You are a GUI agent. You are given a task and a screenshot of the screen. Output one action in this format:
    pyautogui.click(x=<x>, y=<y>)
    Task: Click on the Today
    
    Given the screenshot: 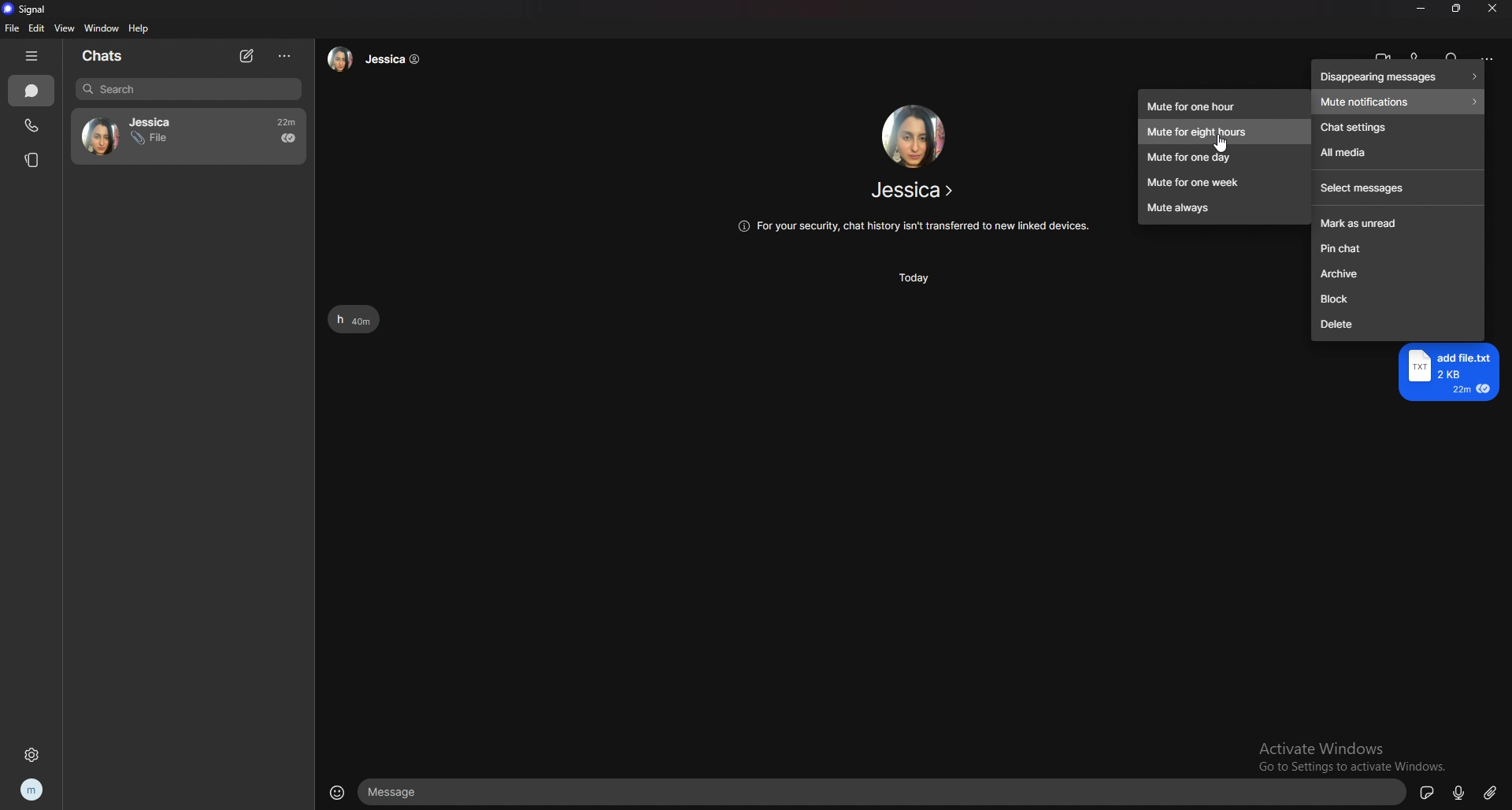 What is the action you would take?
    pyautogui.click(x=904, y=275)
    